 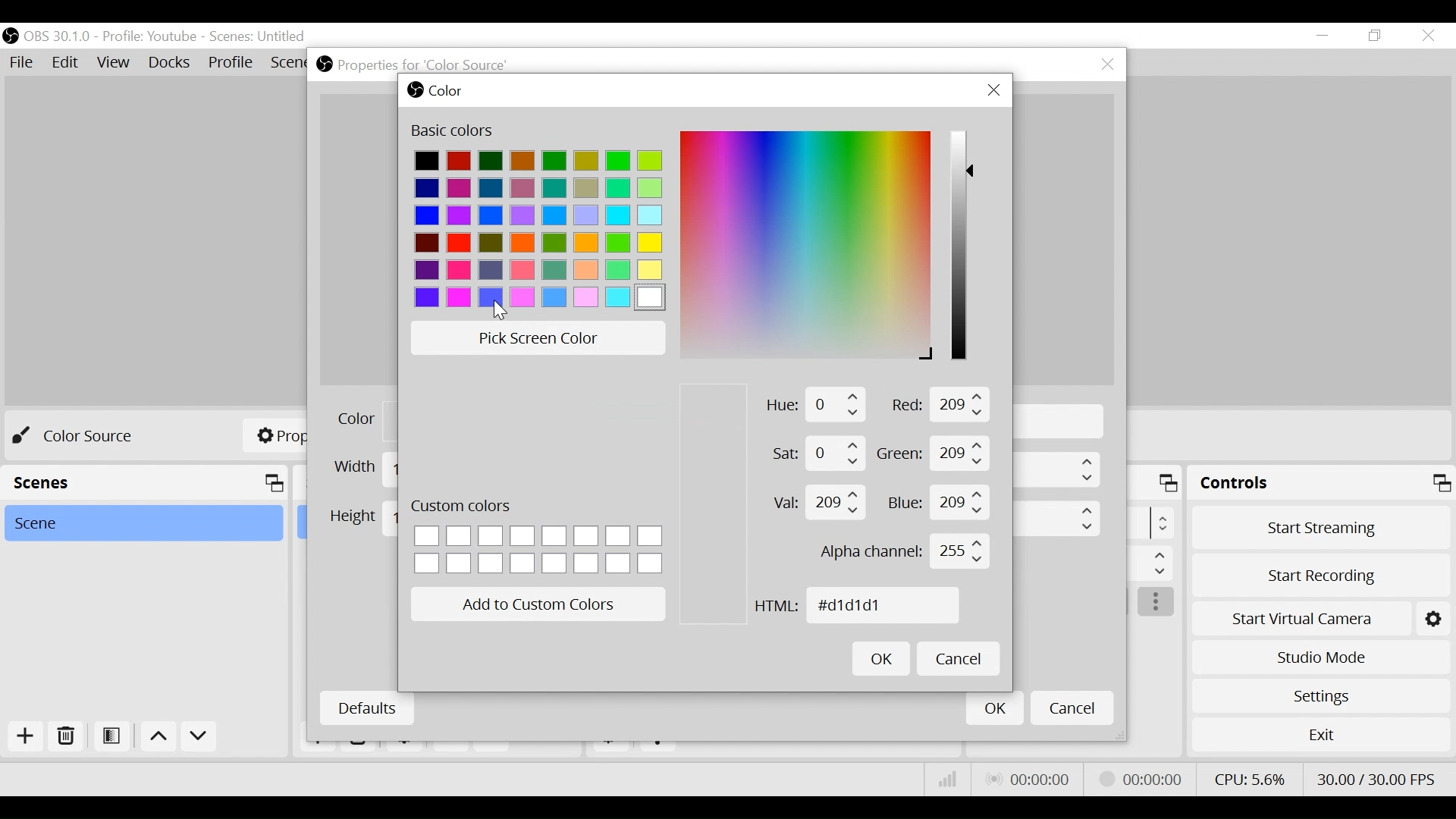 I want to click on HTML, so click(x=856, y=606).